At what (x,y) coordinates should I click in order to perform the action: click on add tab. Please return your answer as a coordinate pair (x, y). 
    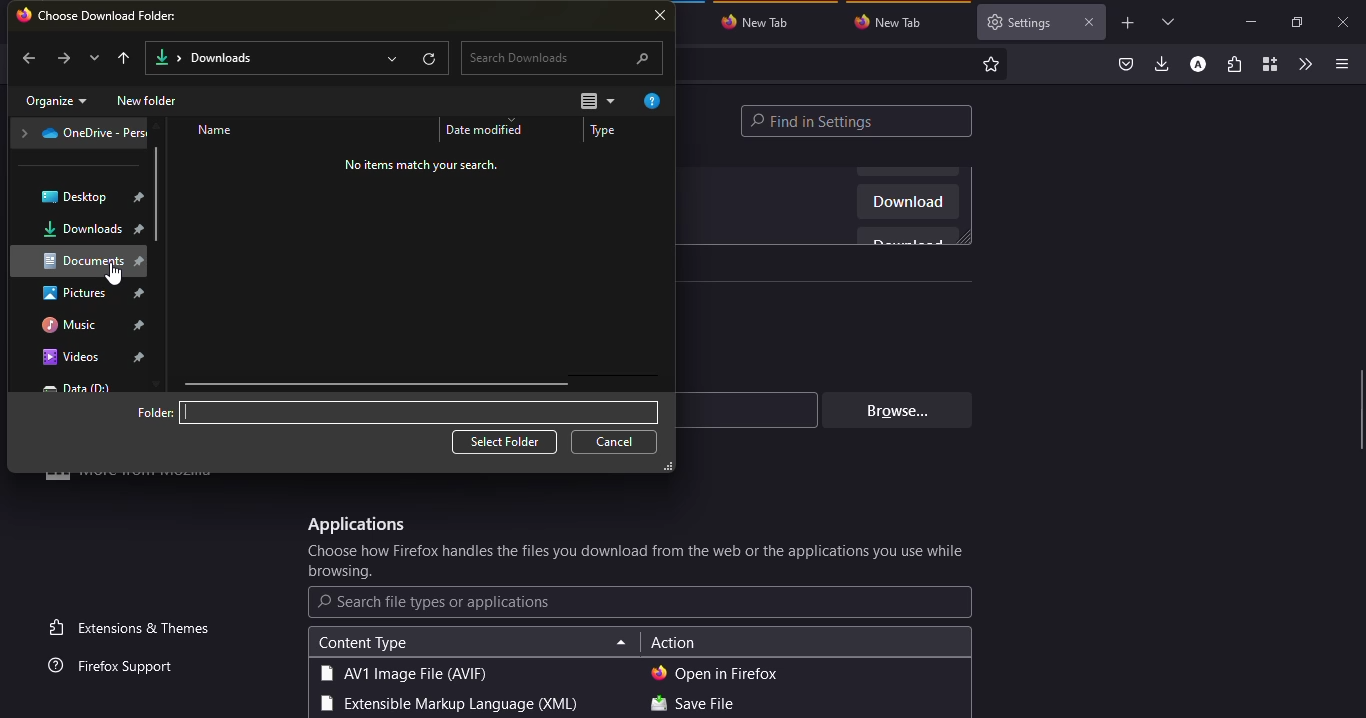
    Looking at the image, I should click on (1128, 23).